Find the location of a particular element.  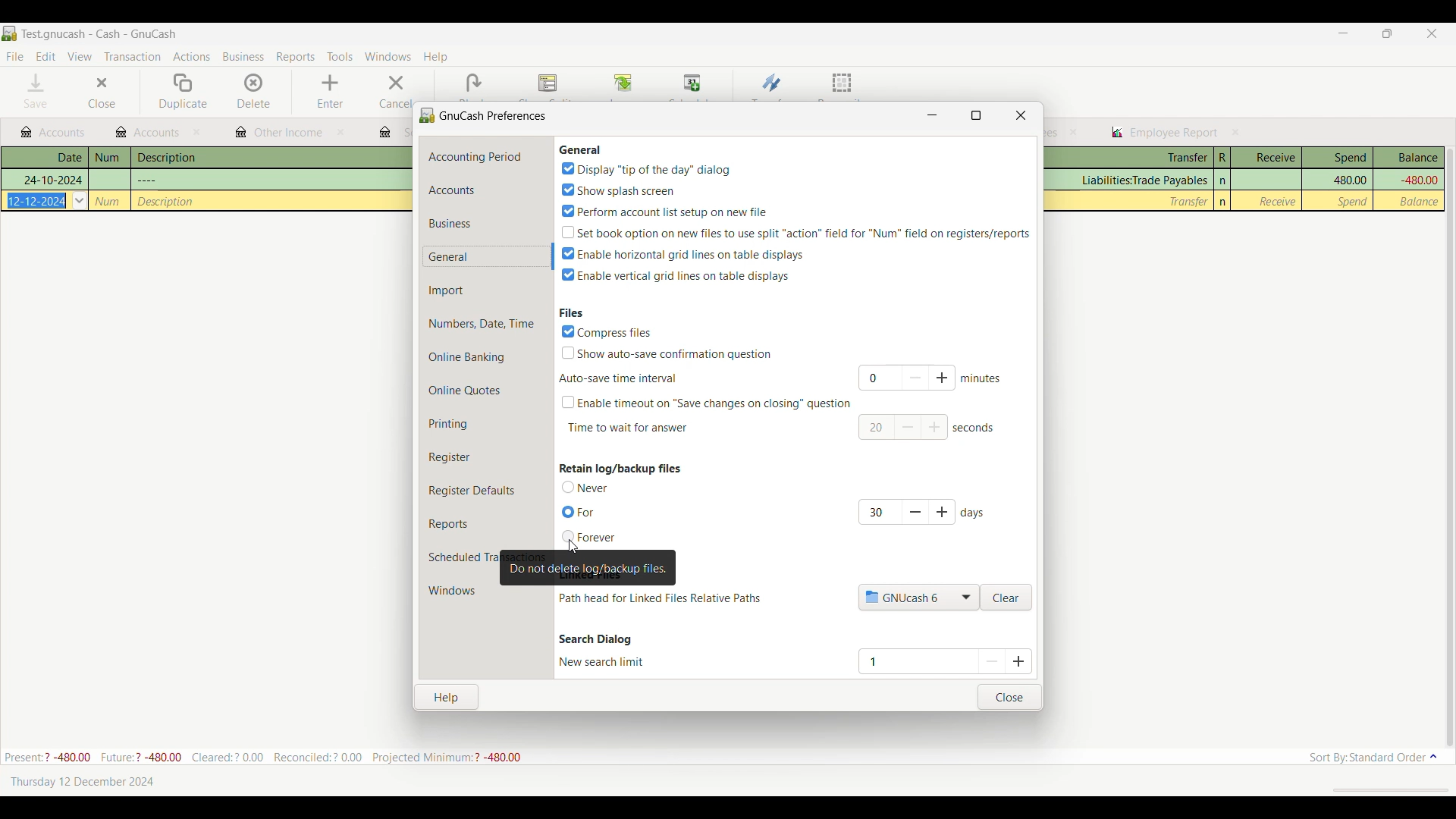

add is located at coordinates (936, 428).